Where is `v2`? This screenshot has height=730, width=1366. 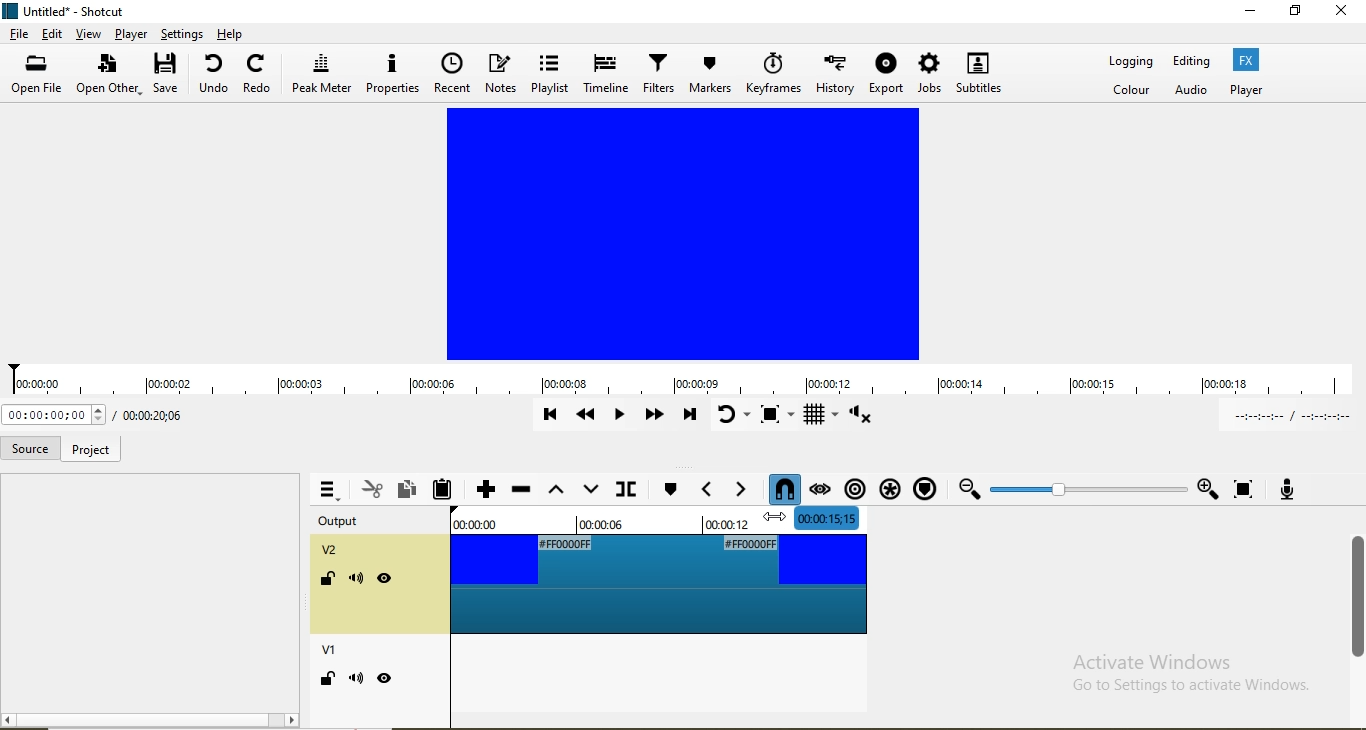 v2 is located at coordinates (333, 552).